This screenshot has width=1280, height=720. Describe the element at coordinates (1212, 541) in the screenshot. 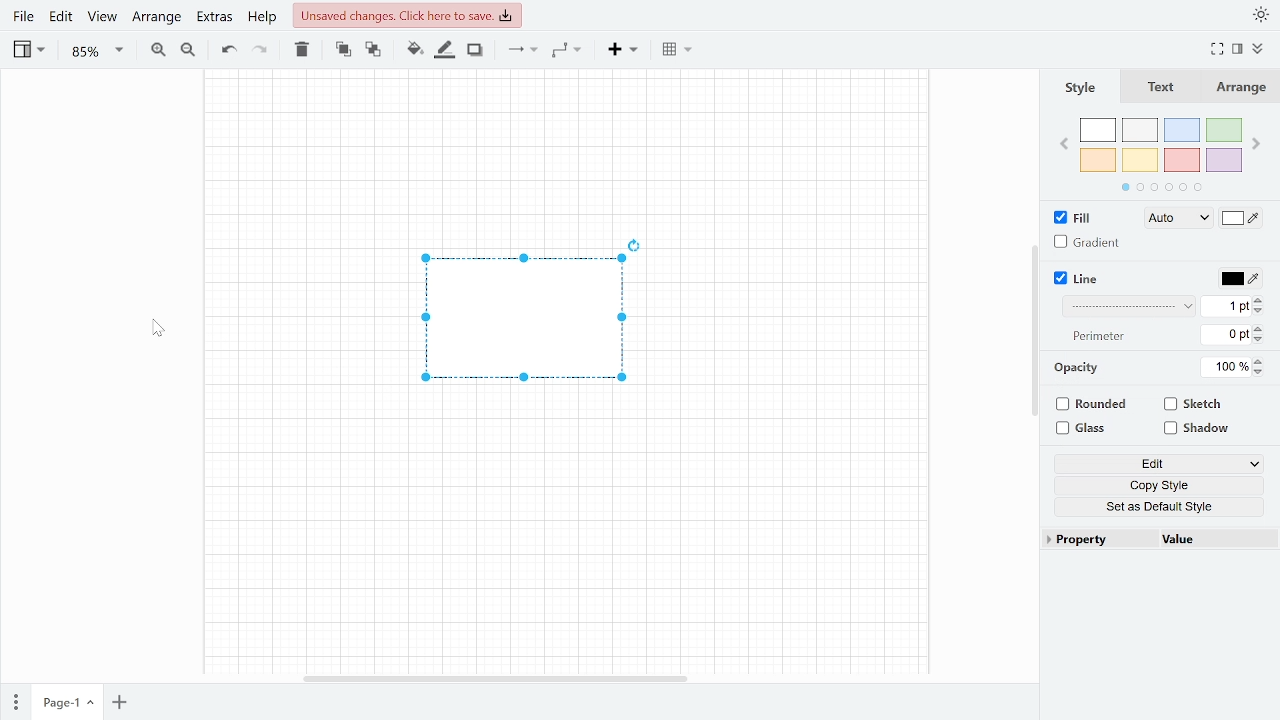

I see `Value` at that location.